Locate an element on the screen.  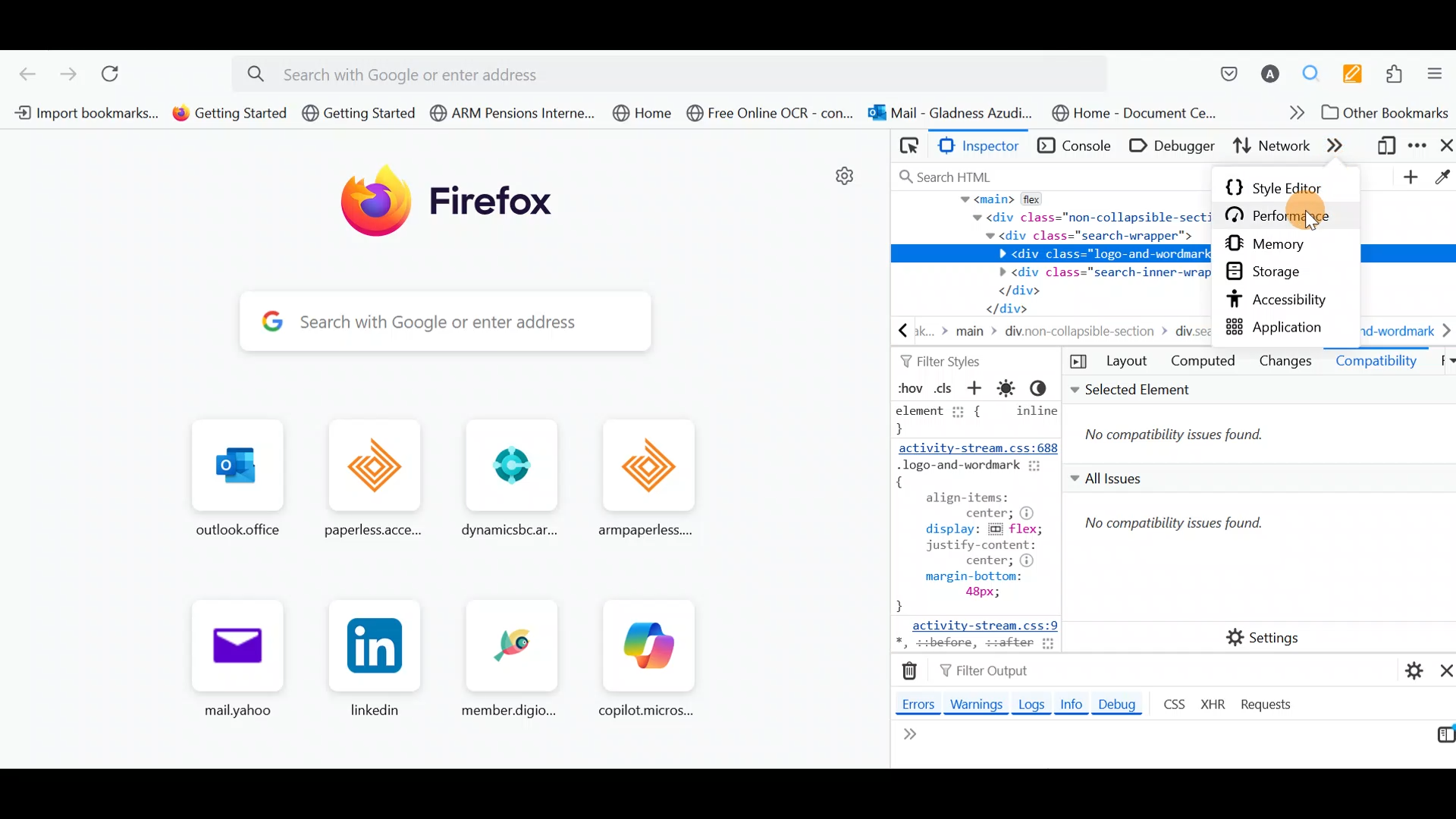
Bookmark 6 is located at coordinates (770, 117).